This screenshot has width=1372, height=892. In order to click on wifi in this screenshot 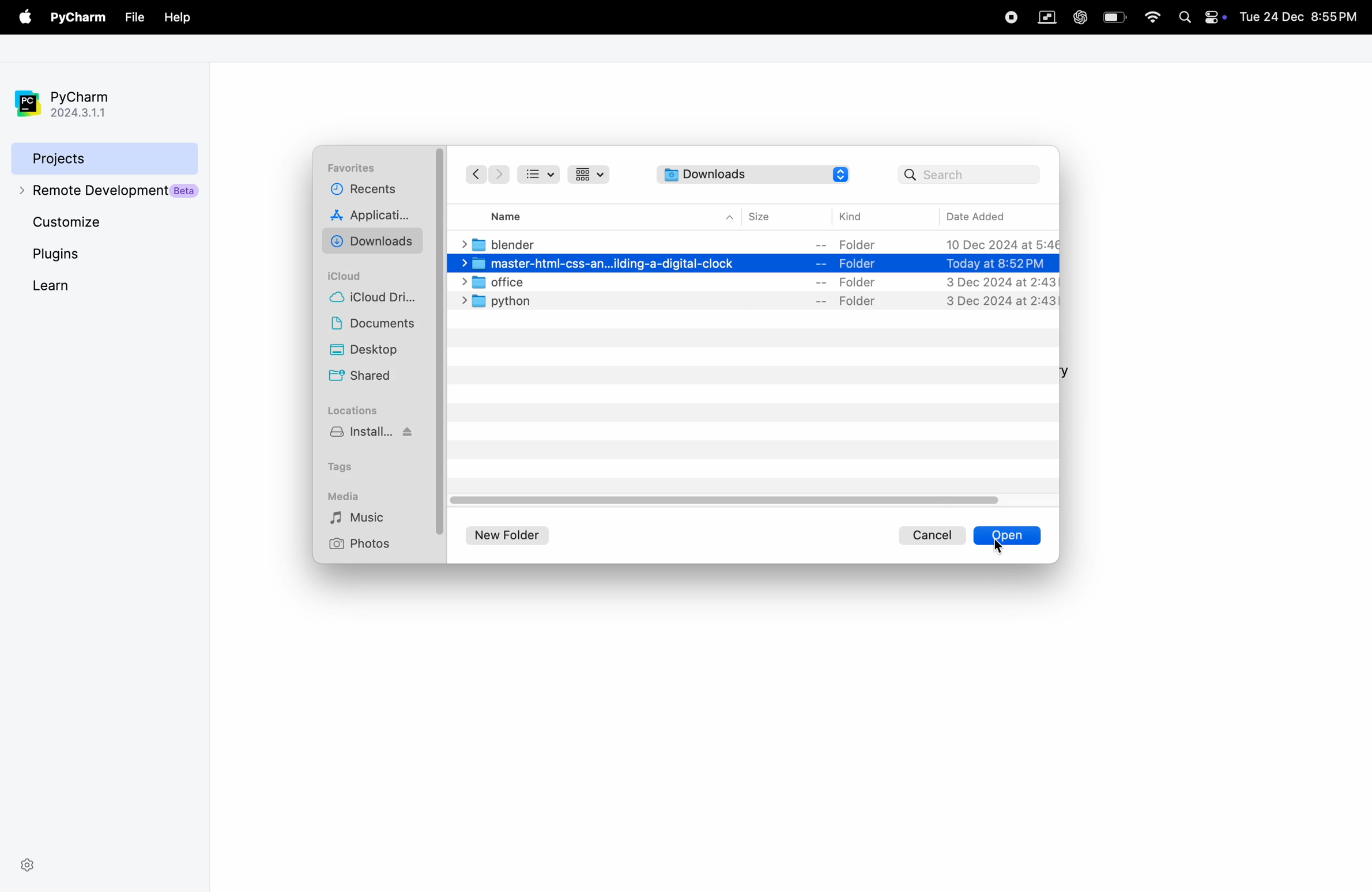, I will do `click(1149, 18)`.